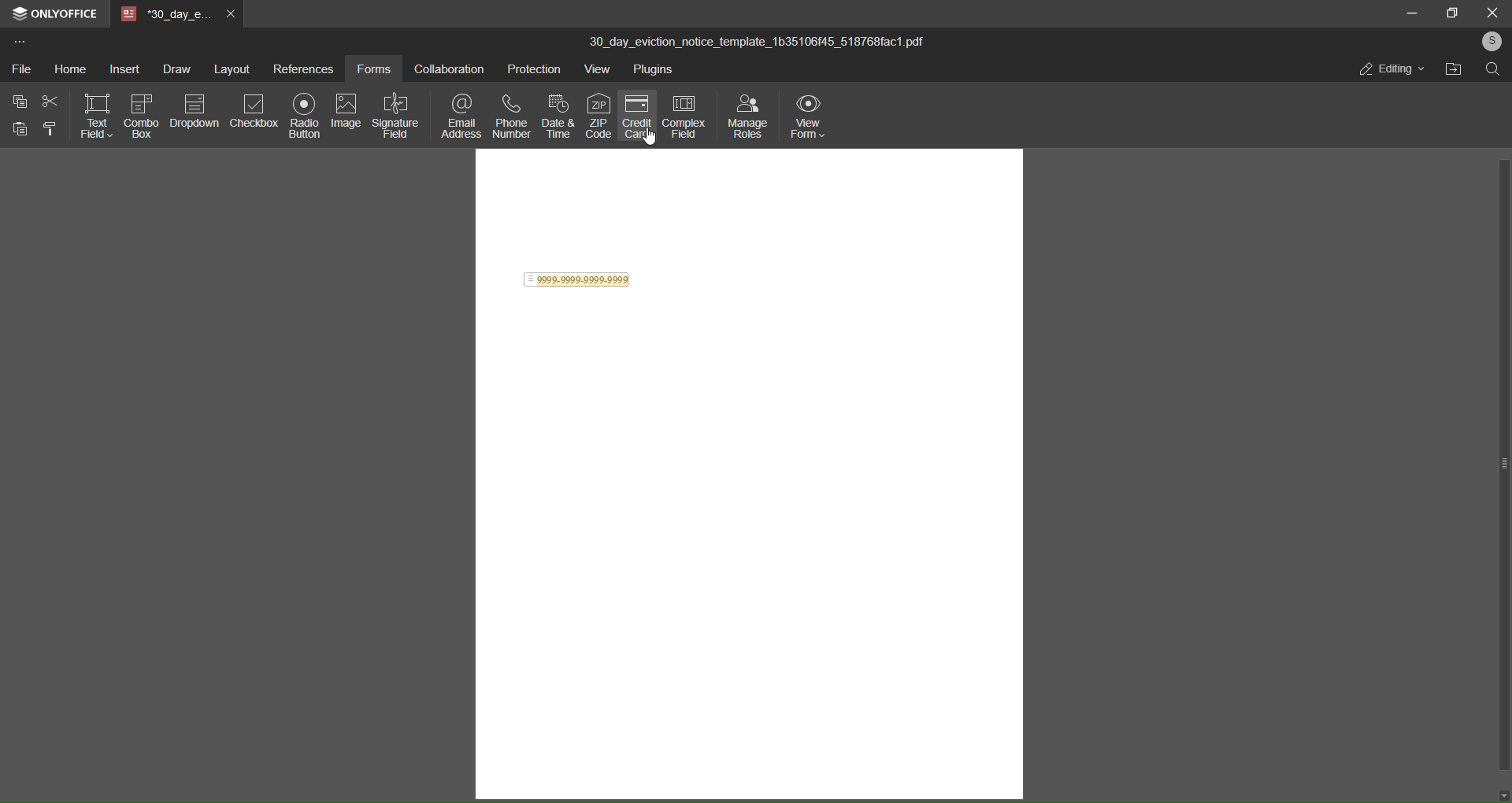 The width and height of the screenshot is (1512, 803). What do you see at coordinates (21, 70) in the screenshot?
I see `file` at bounding box center [21, 70].